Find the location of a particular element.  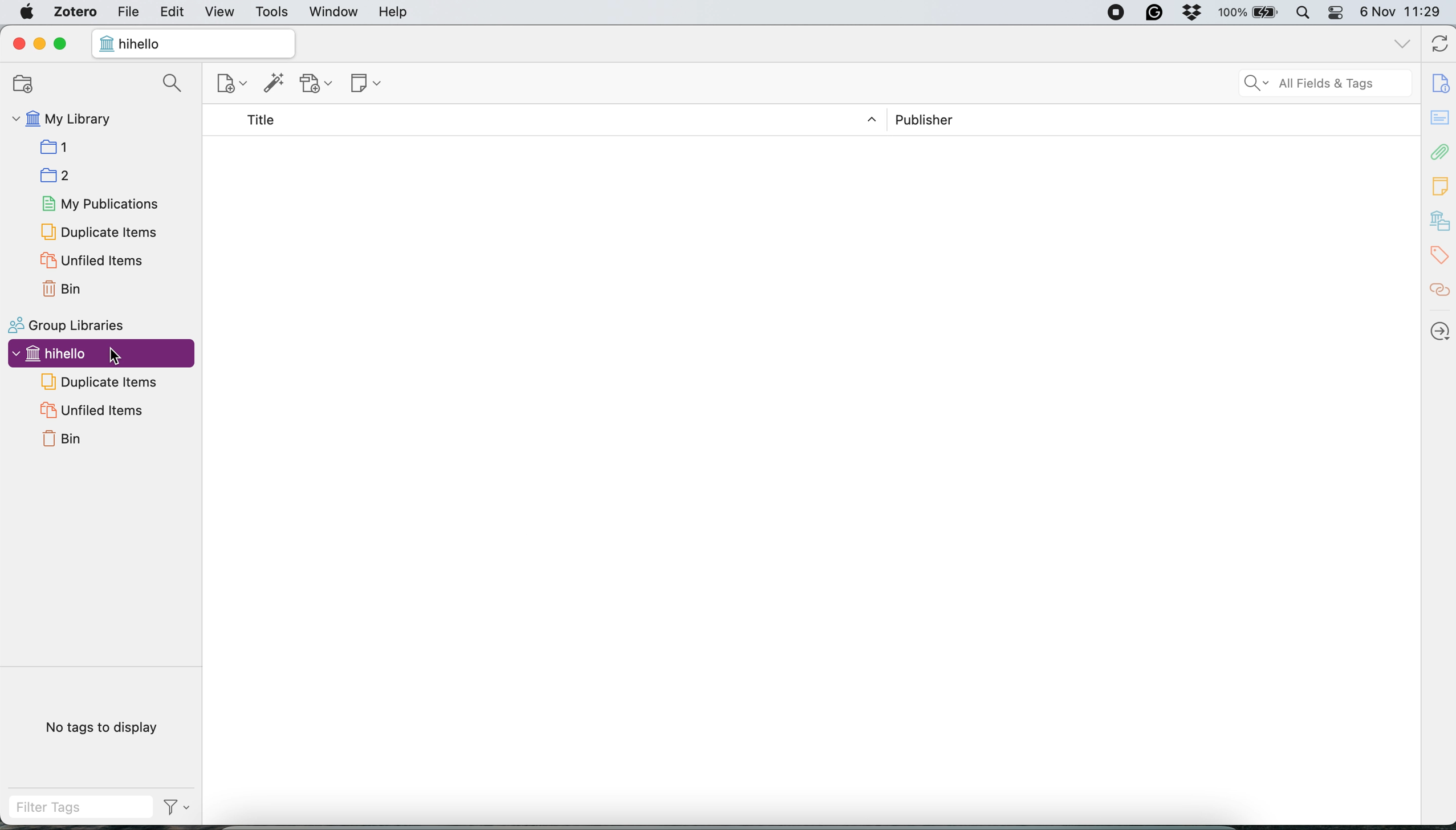

Tags is located at coordinates (1438, 251).